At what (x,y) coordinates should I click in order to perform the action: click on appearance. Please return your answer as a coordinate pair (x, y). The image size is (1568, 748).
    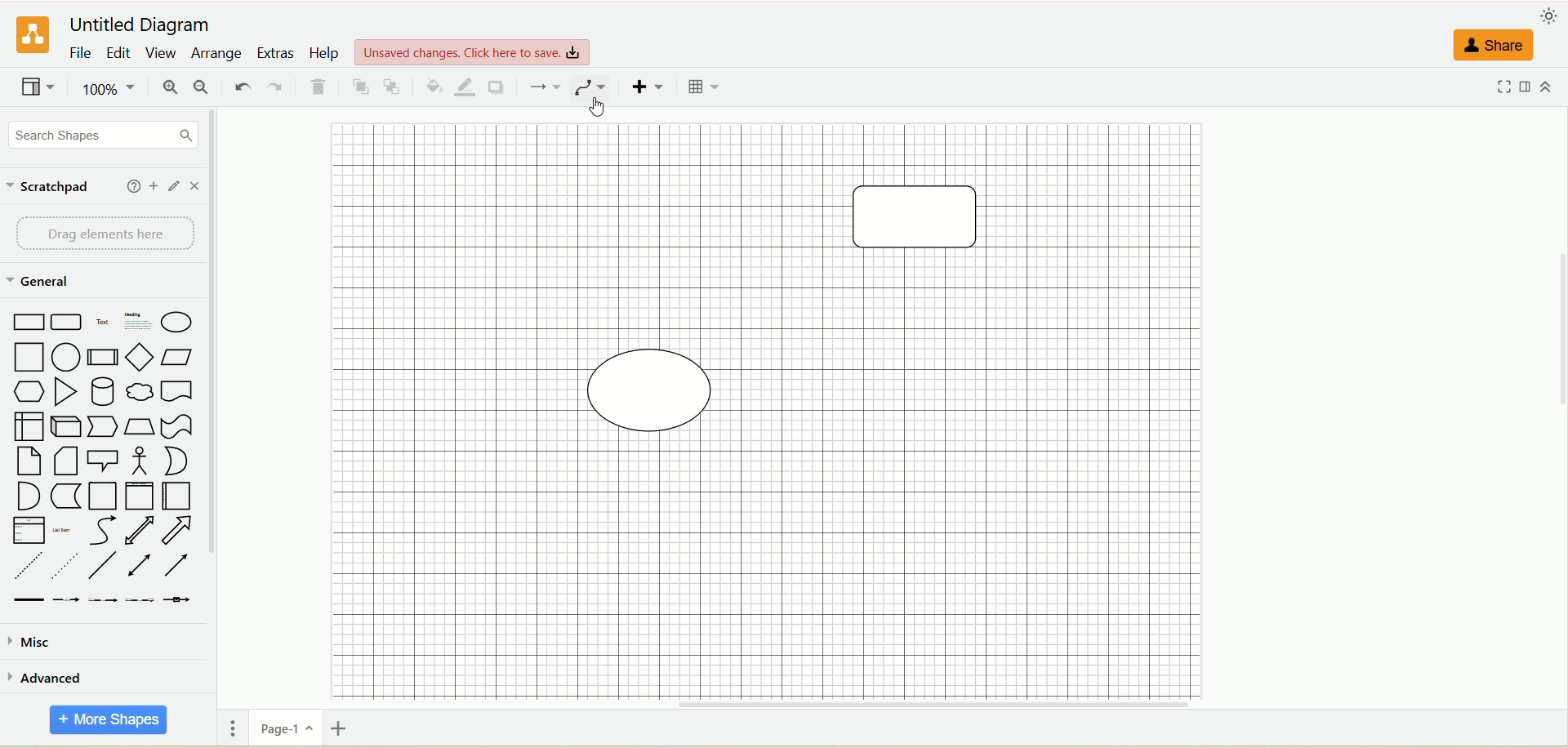
    Looking at the image, I should click on (1549, 19).